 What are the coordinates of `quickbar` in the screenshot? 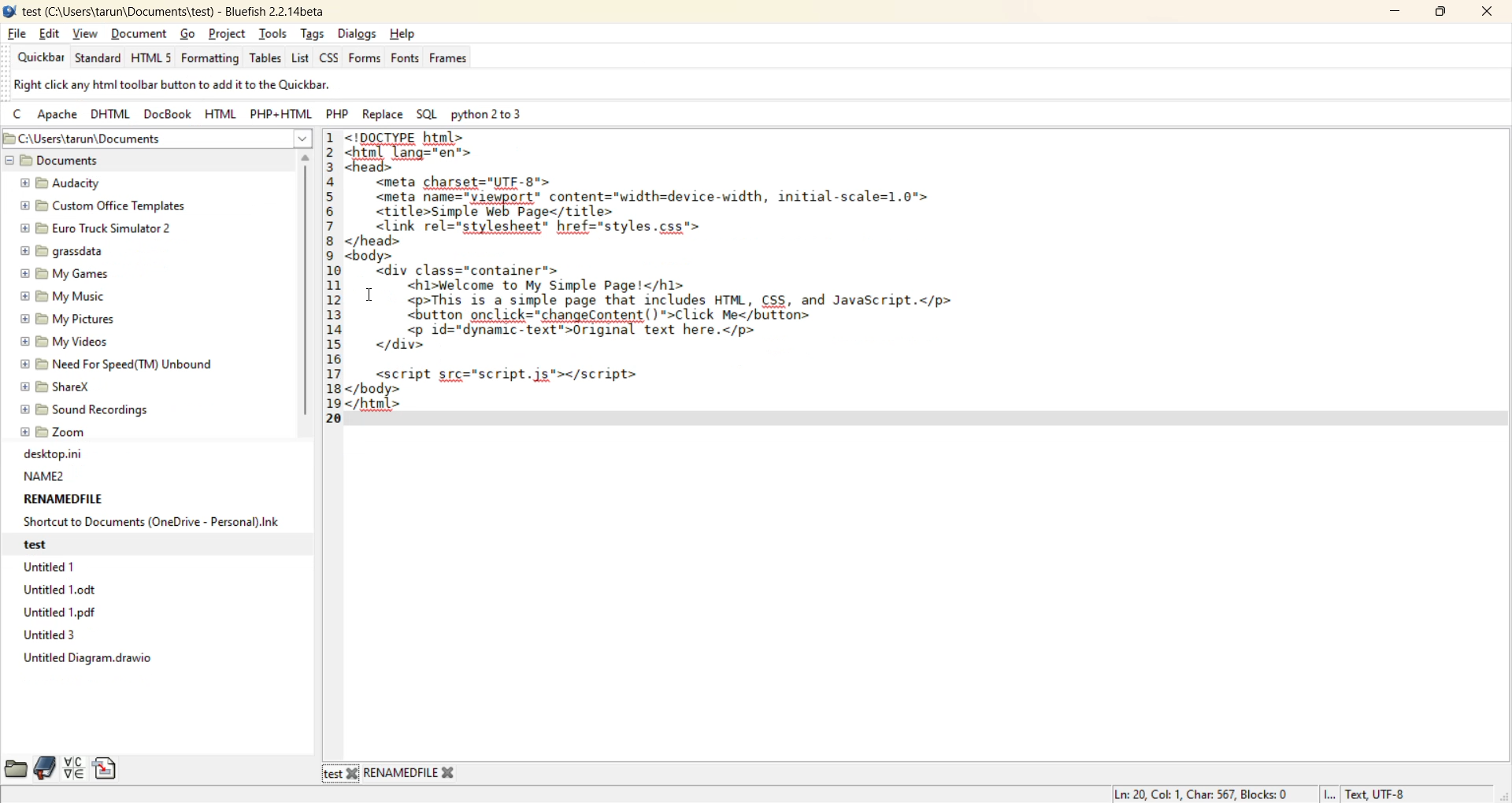 It's located at (43, 58).